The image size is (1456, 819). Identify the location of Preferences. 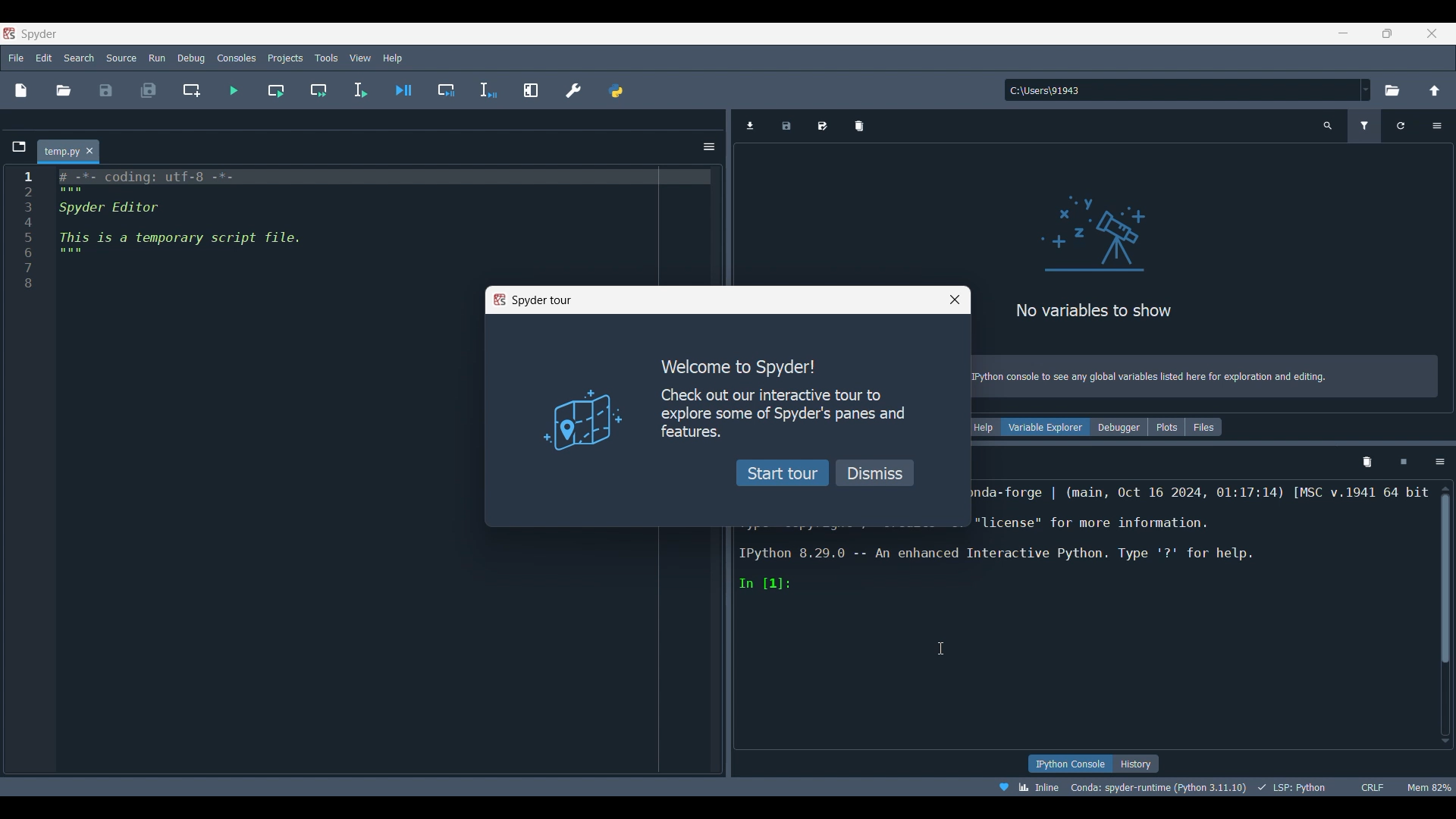
(574, 91).